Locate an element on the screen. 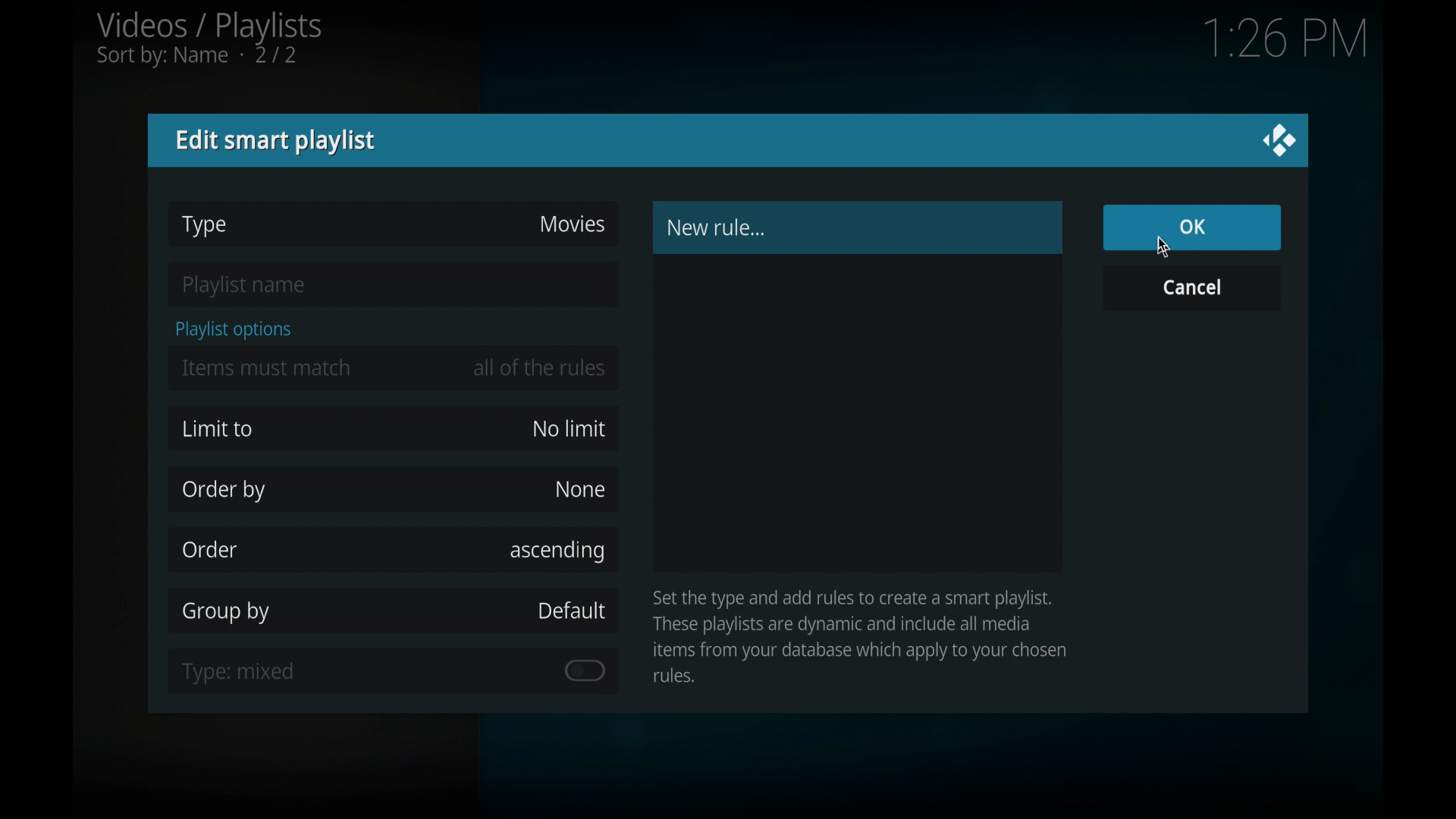 This screenshot has height=819, width=1456. time is located at coordinates (1285, 39).